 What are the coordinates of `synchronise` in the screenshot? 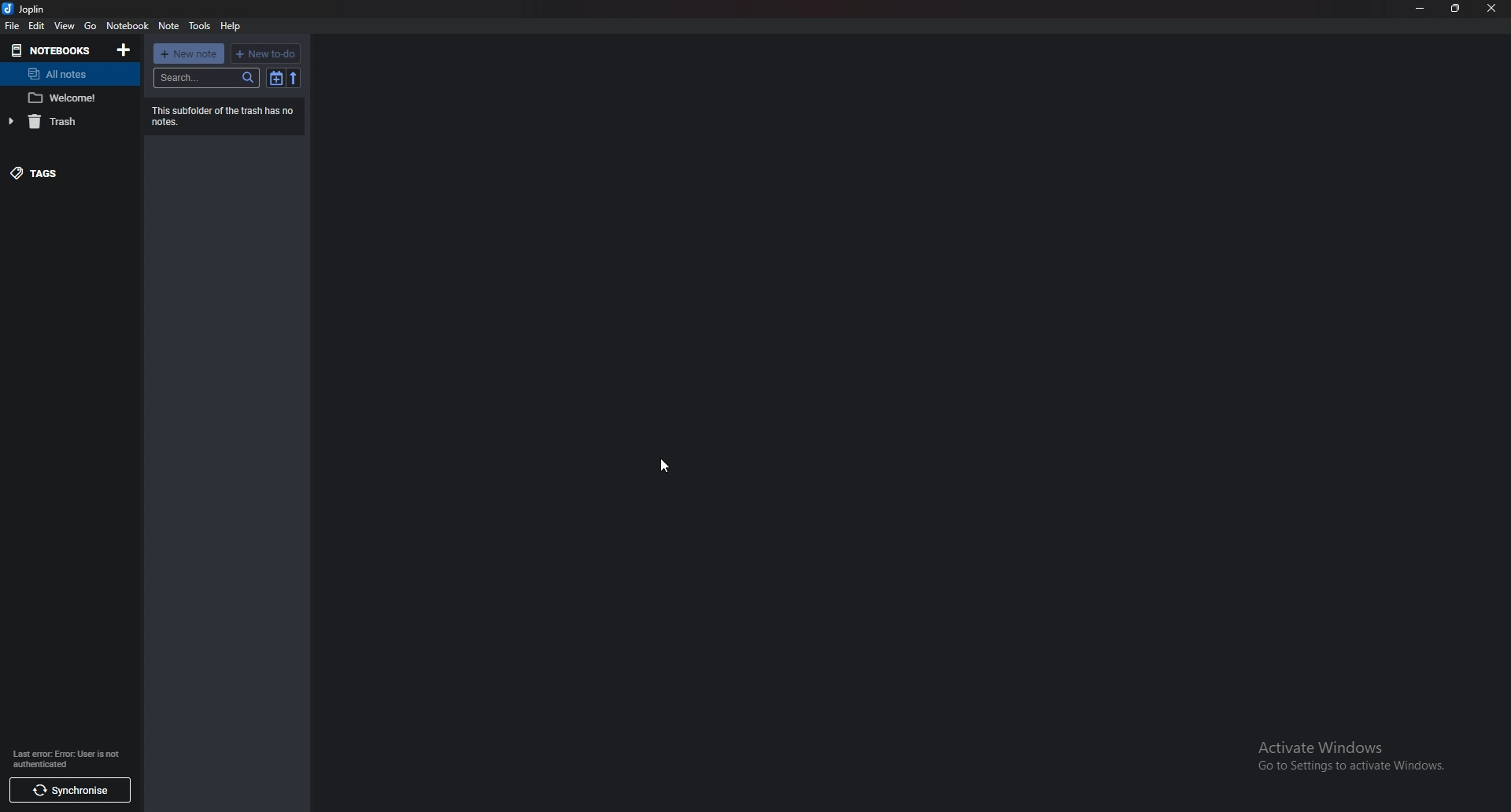 It's located at (69, 789).